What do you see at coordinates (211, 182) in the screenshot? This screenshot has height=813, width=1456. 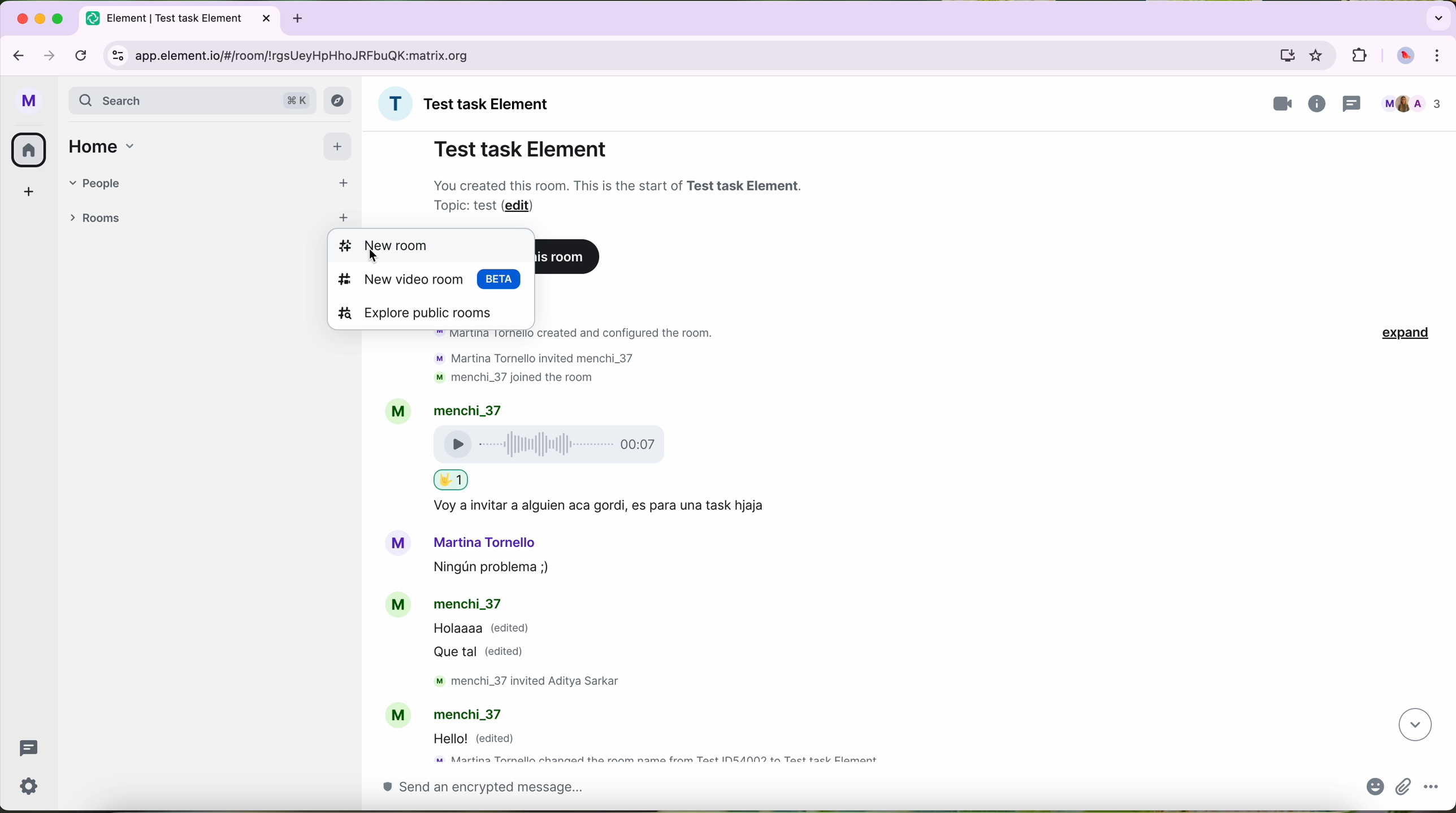 I see `people tab` at bounding box center [211, 182].